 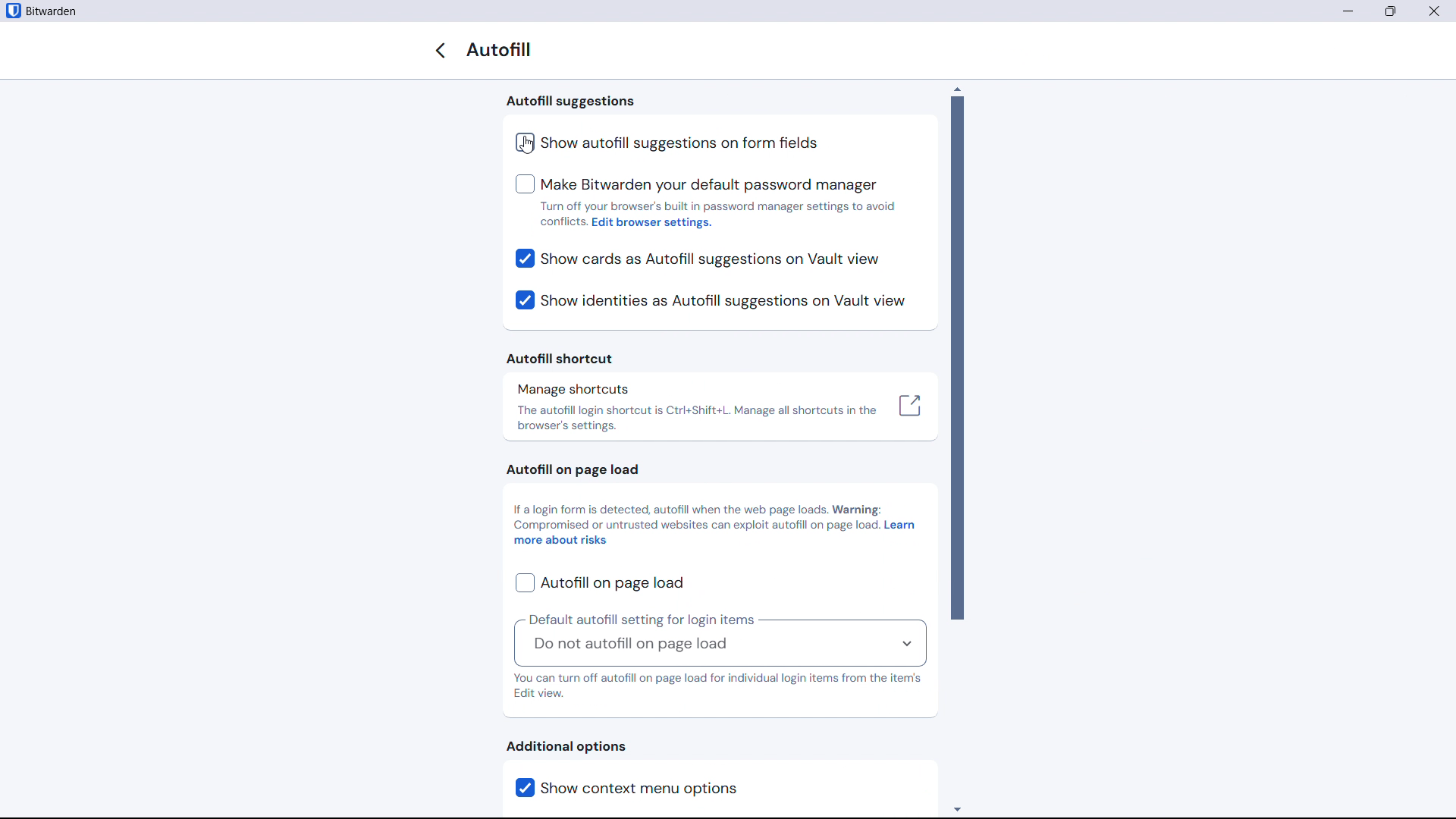 What do you see at coordinates (719, 647) in the screenshot?
I see `Default autofield setting for login items ` at bounding box center [719, 647].